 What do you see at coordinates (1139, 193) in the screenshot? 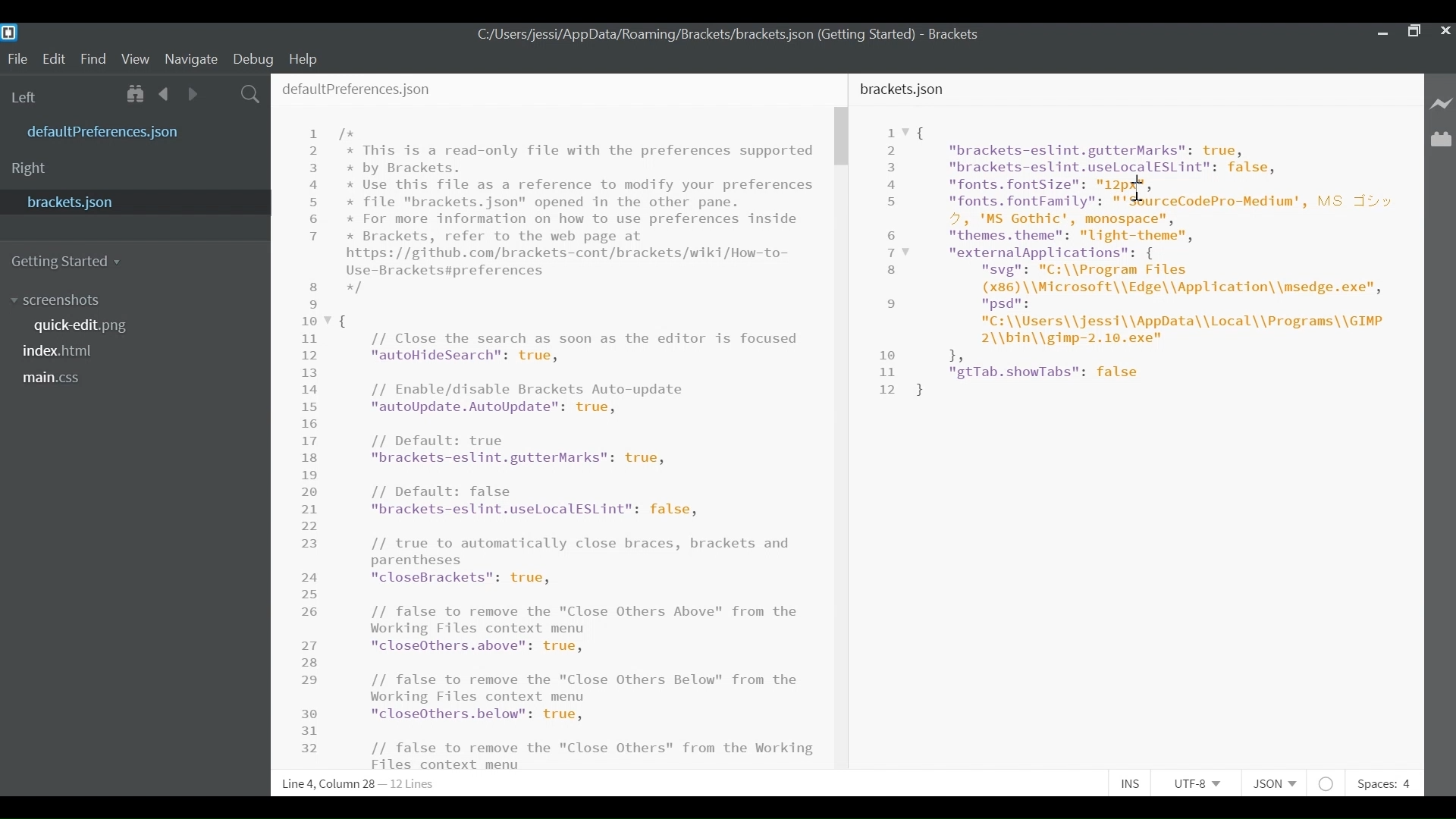
I see `cursor` at bounding box center [1139, 193].